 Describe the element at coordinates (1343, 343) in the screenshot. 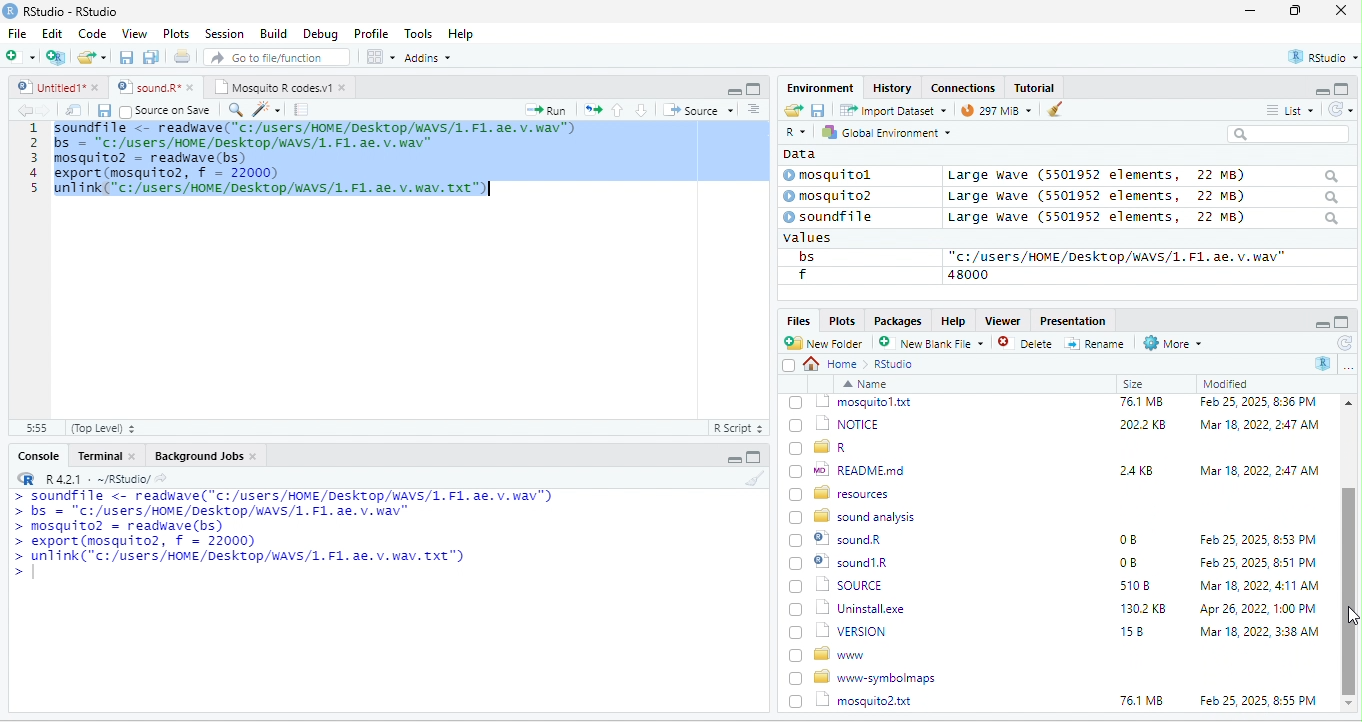

I see `refresh` at that location.